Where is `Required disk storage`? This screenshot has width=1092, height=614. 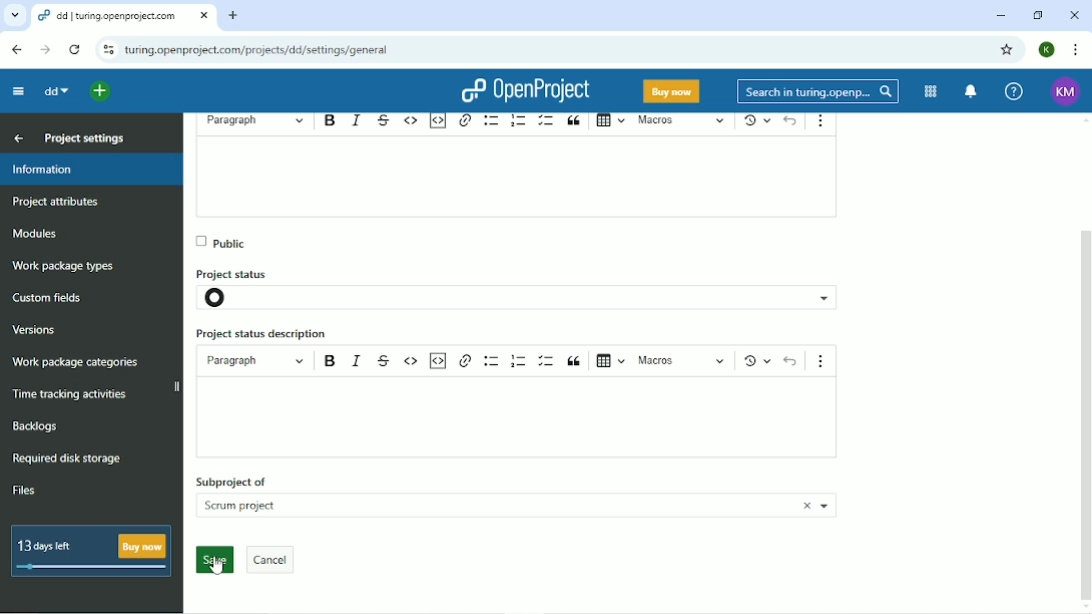 Required disk storage is located at coordinates (67, 460).